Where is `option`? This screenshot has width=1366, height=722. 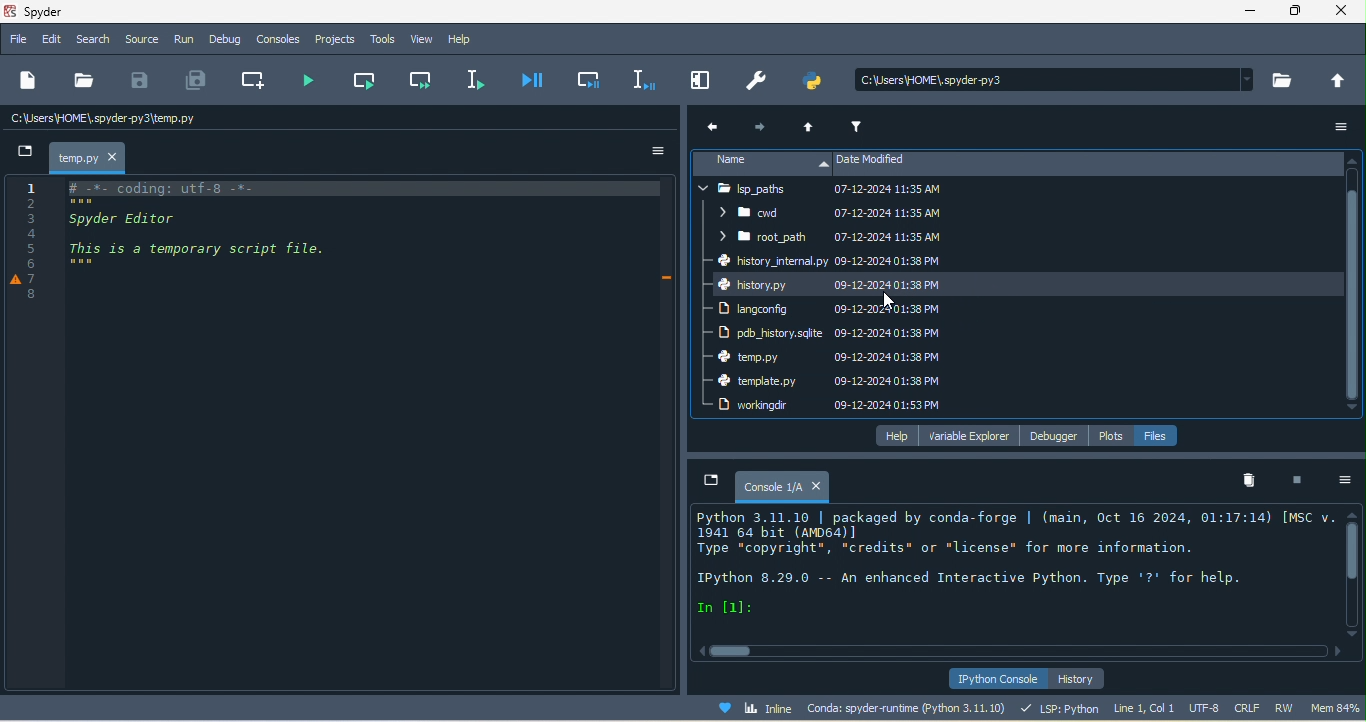
option is located at coordinates (1342, 129).